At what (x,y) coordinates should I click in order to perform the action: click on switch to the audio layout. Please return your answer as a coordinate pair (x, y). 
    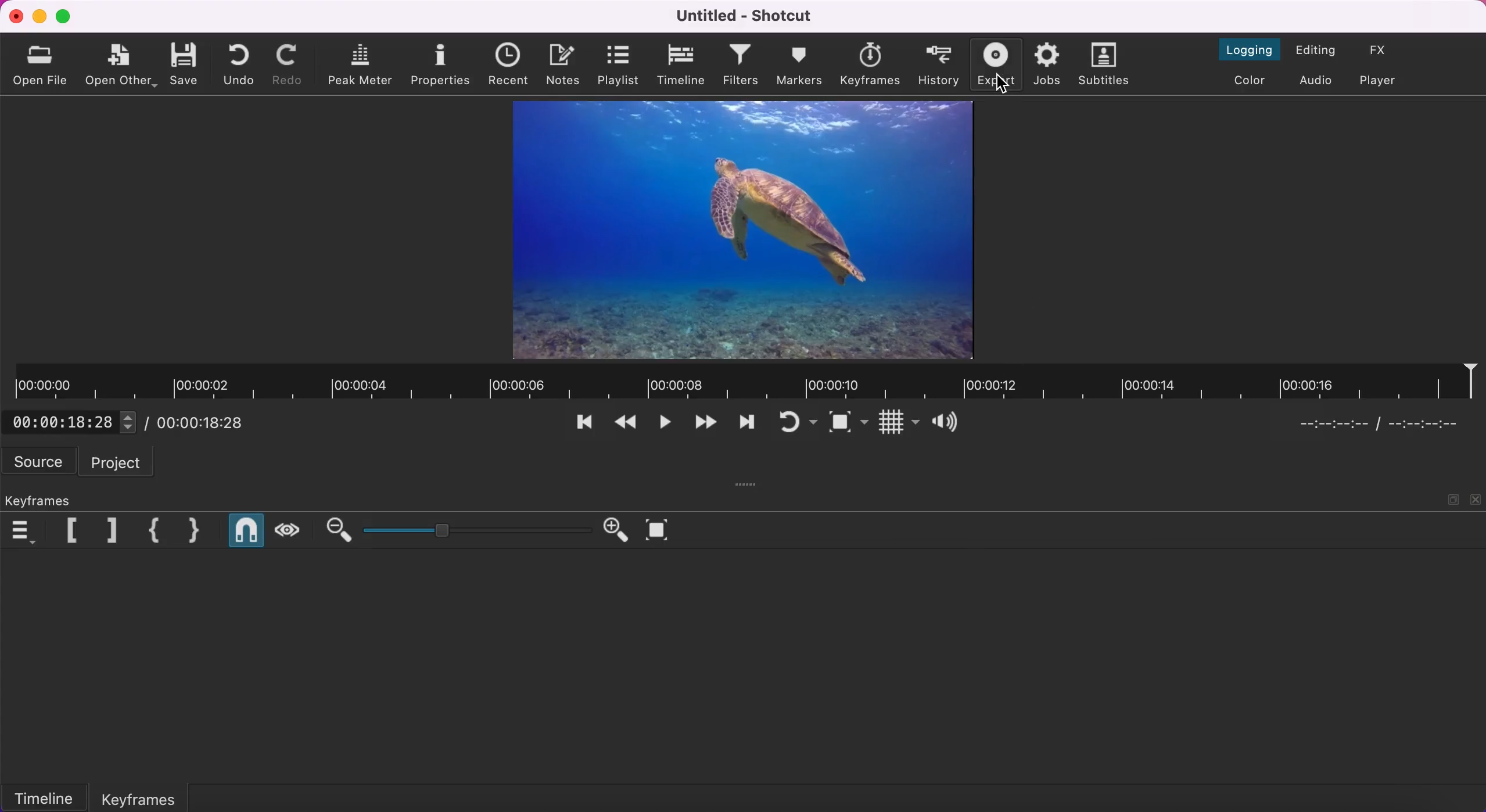
    Looking at the image, I should click on (1316, 81).